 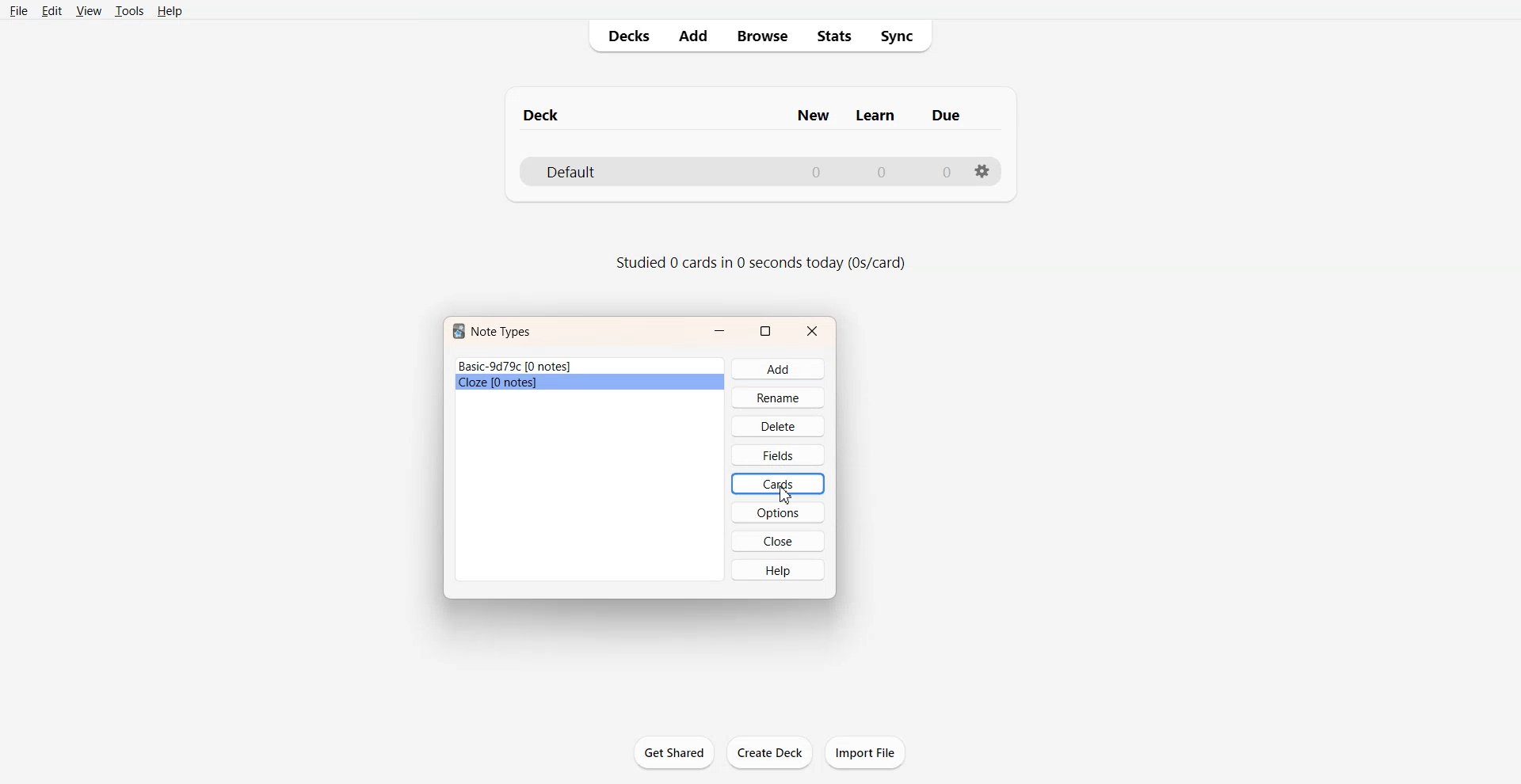 I want to click on Import File, so click(x=865, y=752).